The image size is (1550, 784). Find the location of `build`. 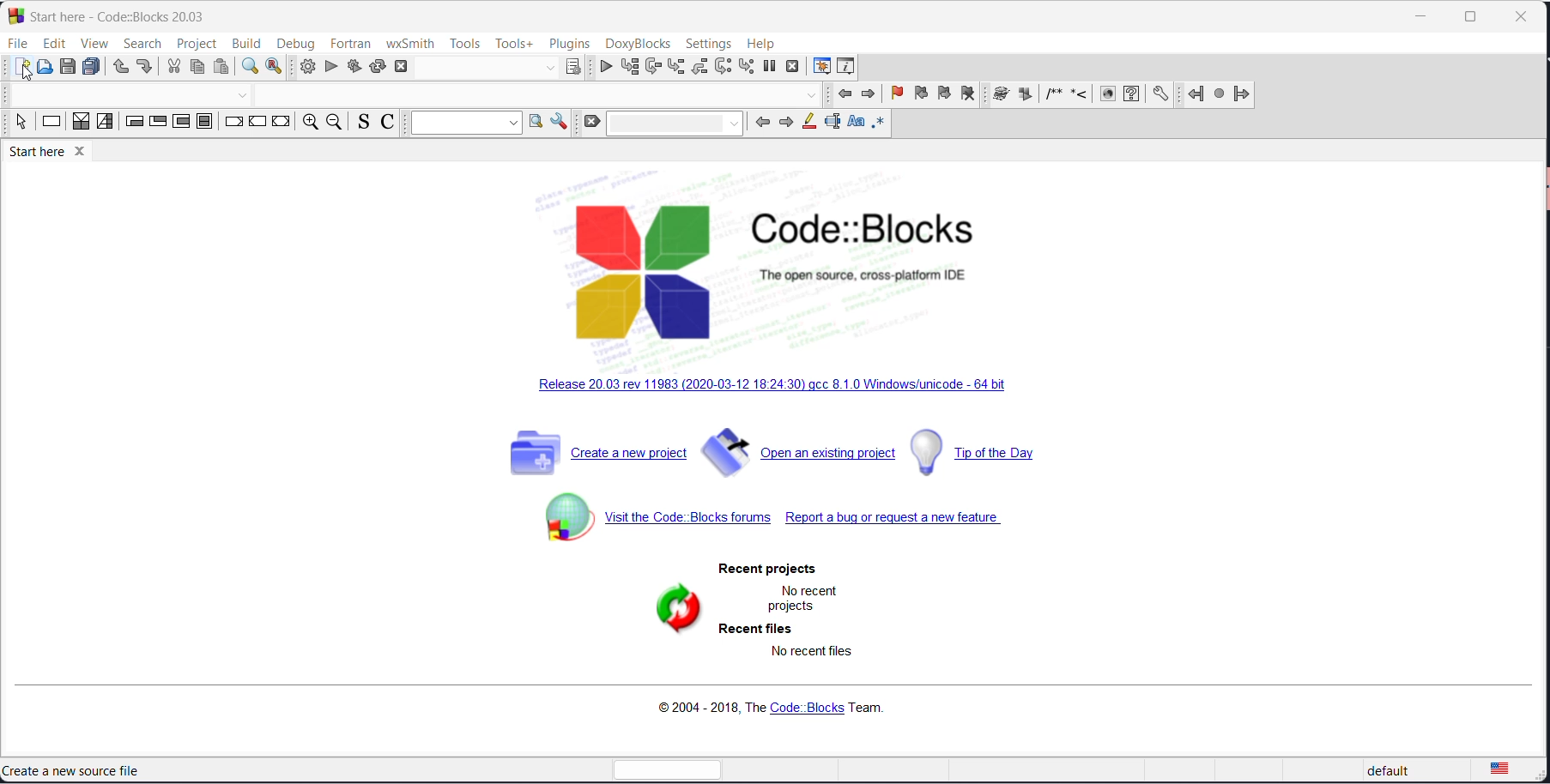

build is located at coordinates (304, 68).